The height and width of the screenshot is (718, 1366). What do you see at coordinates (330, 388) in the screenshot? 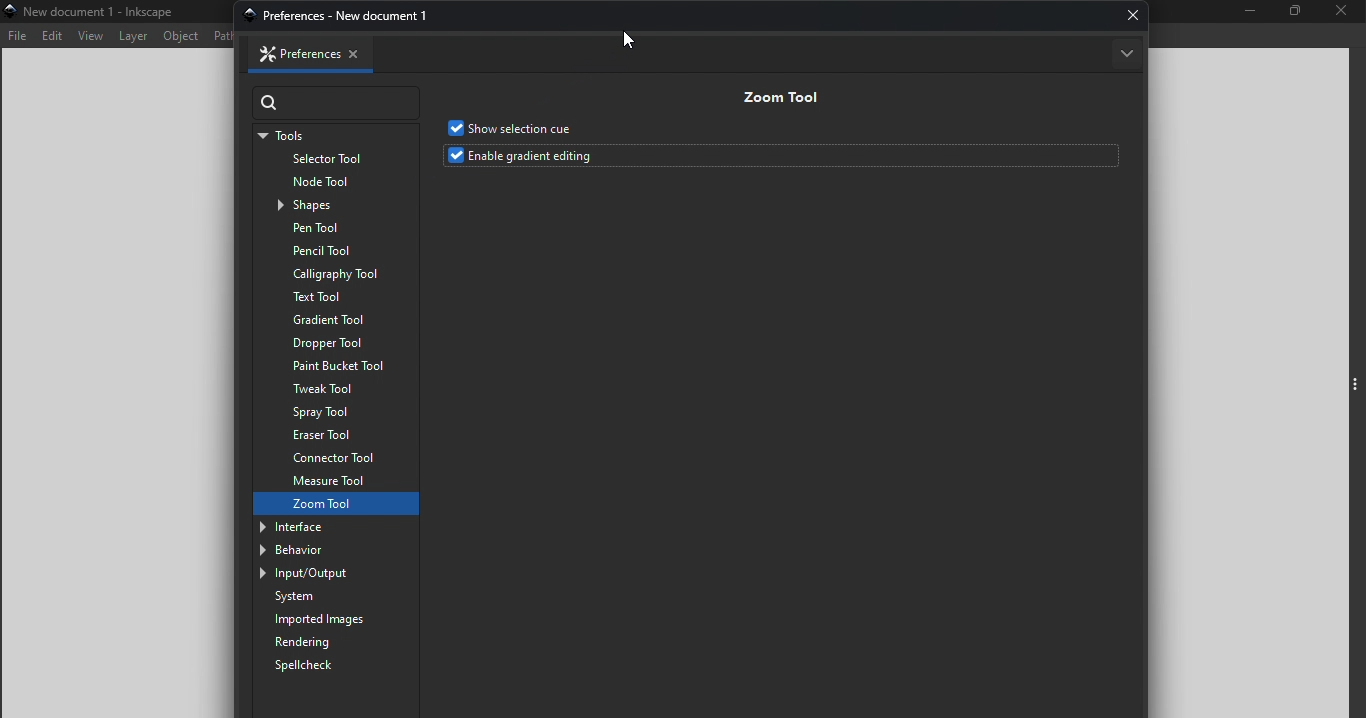
I see `Tweak tool` at bounding box center [330, 388].